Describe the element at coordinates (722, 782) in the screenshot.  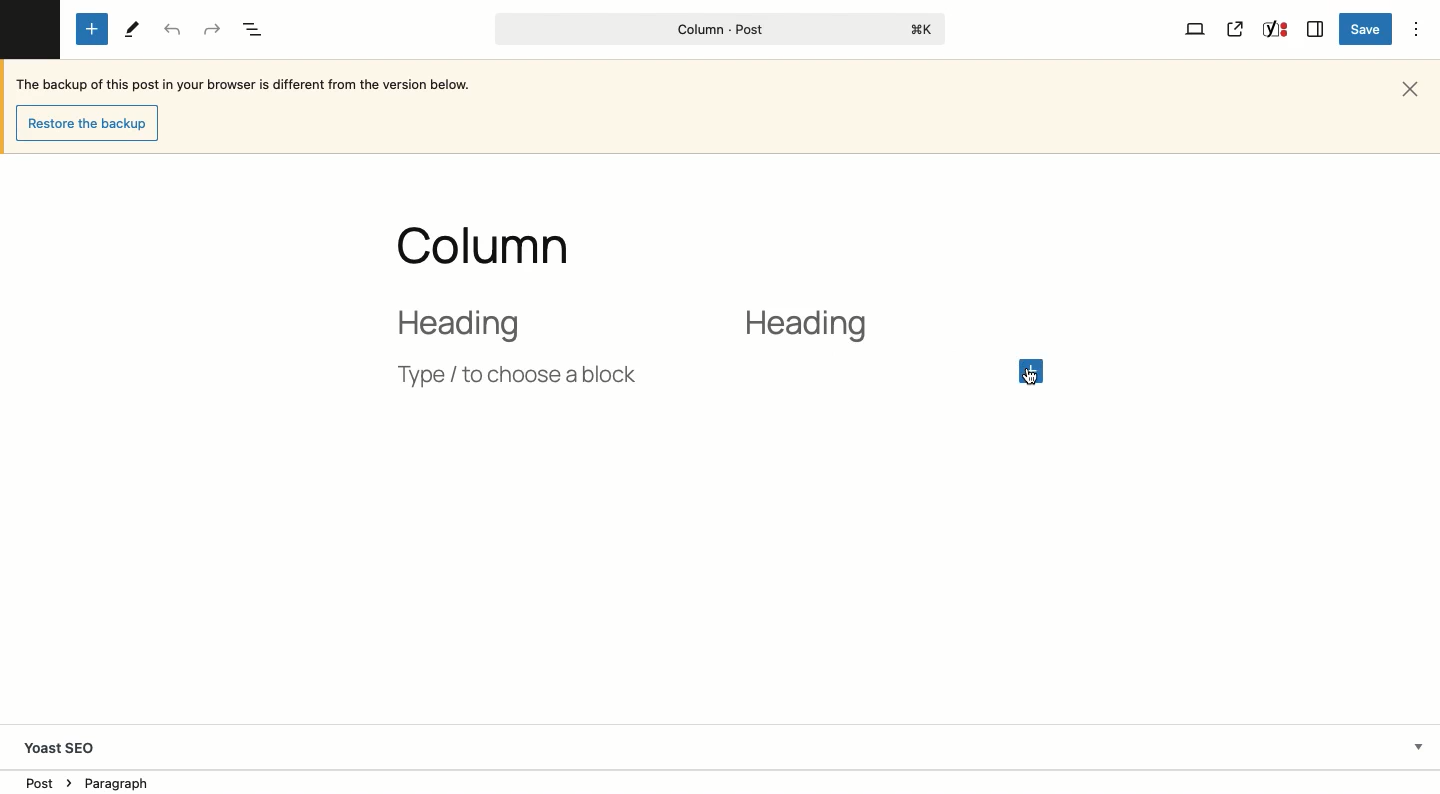
I see `Location` at that location.